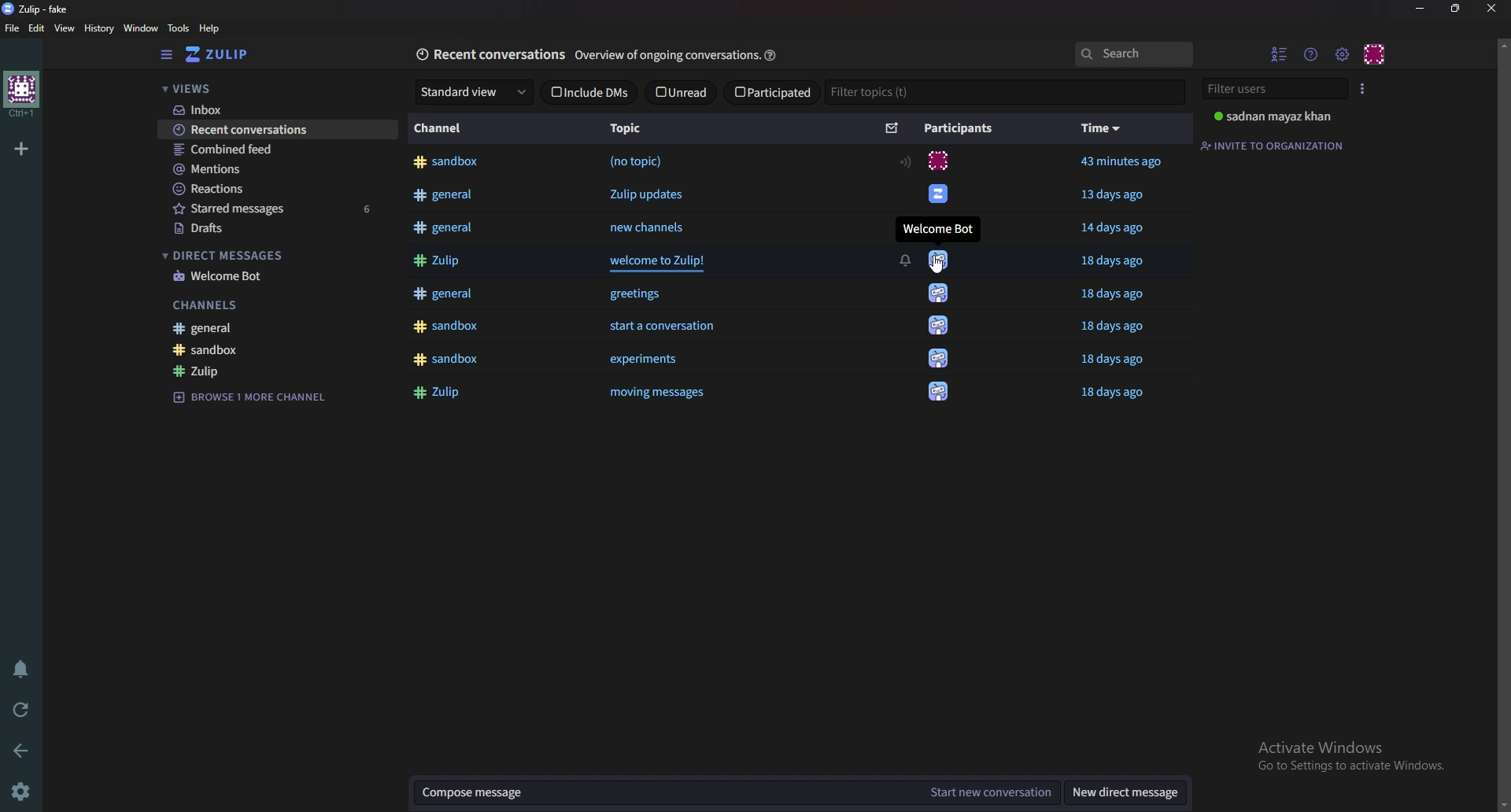 The height and width of the screenshot is (812, 1511). What do you see at coordinates (167, 56) in the screenshot?
I see `Hide sidebar` at bounding box center [167, 56].